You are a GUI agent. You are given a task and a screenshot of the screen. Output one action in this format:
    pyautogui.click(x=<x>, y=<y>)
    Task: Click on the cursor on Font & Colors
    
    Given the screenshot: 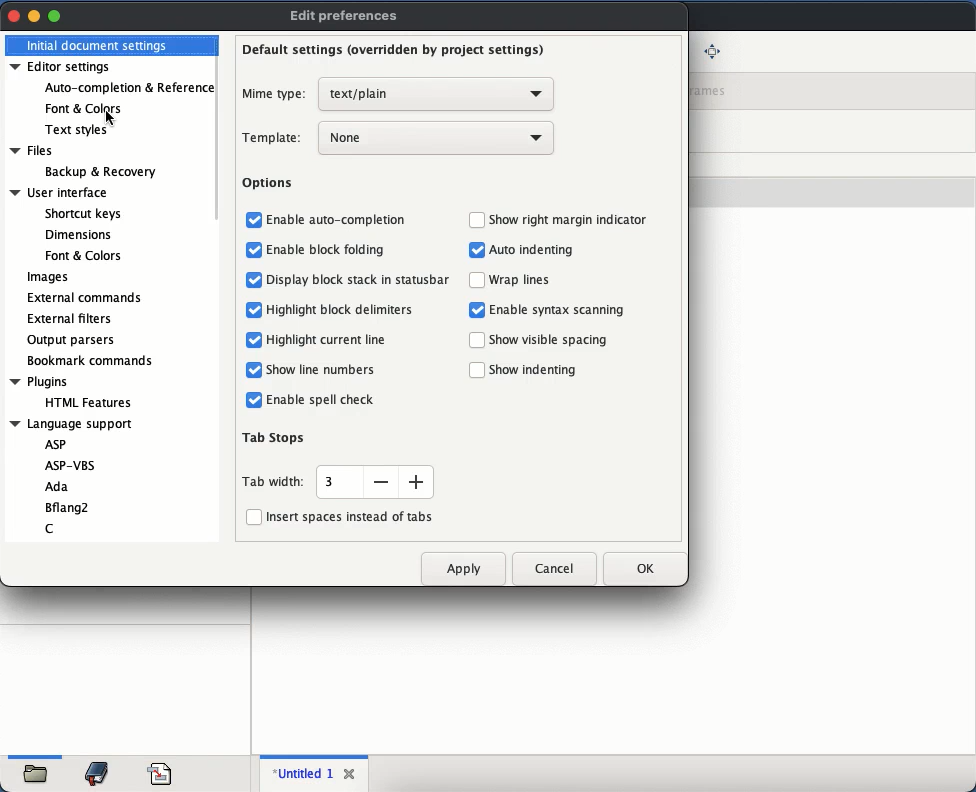 What is the action you would take?
    pyautogui.click(x=109, y=117)
    